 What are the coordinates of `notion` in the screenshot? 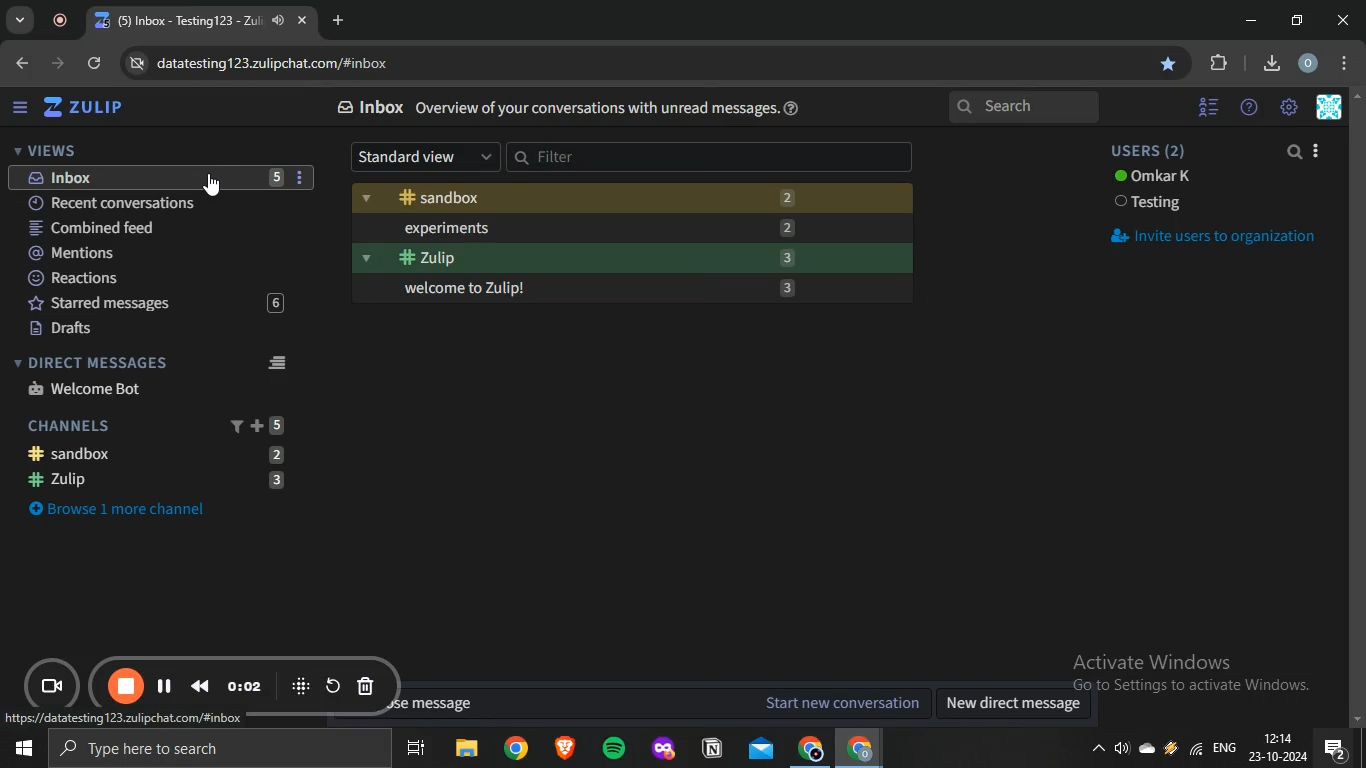 It's located at (714, 749).